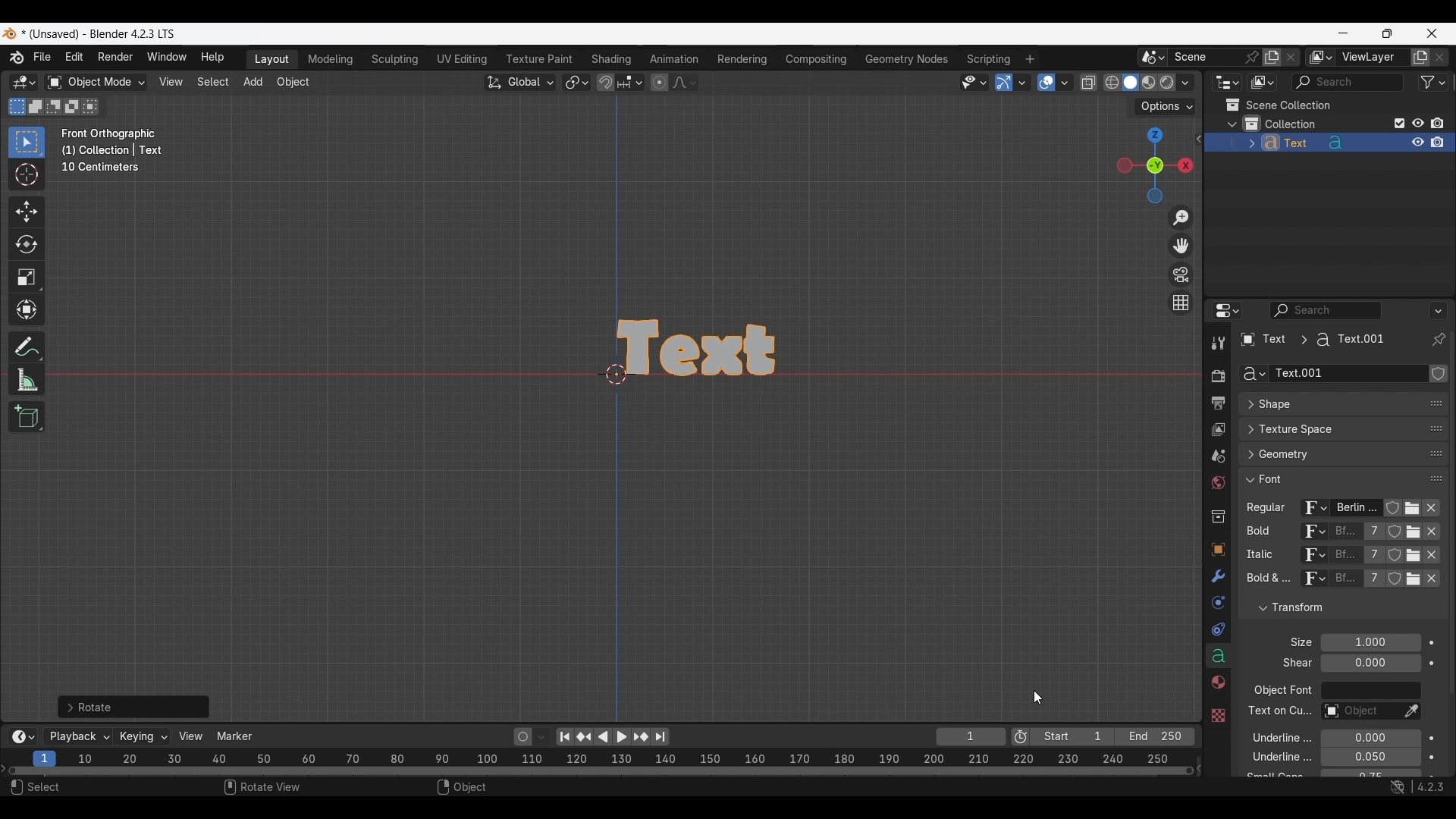  I want to click on Window menu, so click(167, 58).